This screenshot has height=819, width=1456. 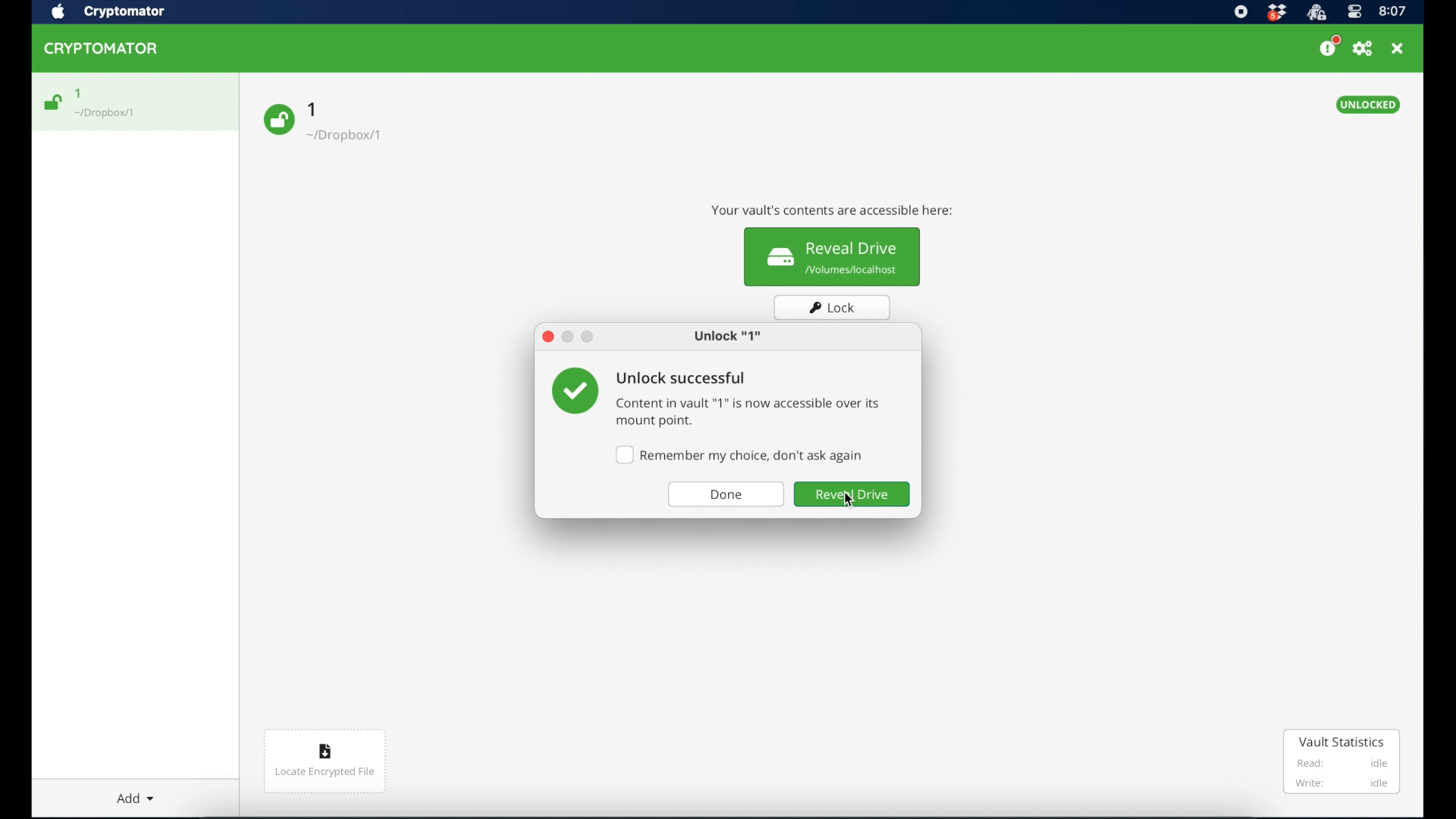 I want to click on locate encrypted file, so click(x=327, y=763).